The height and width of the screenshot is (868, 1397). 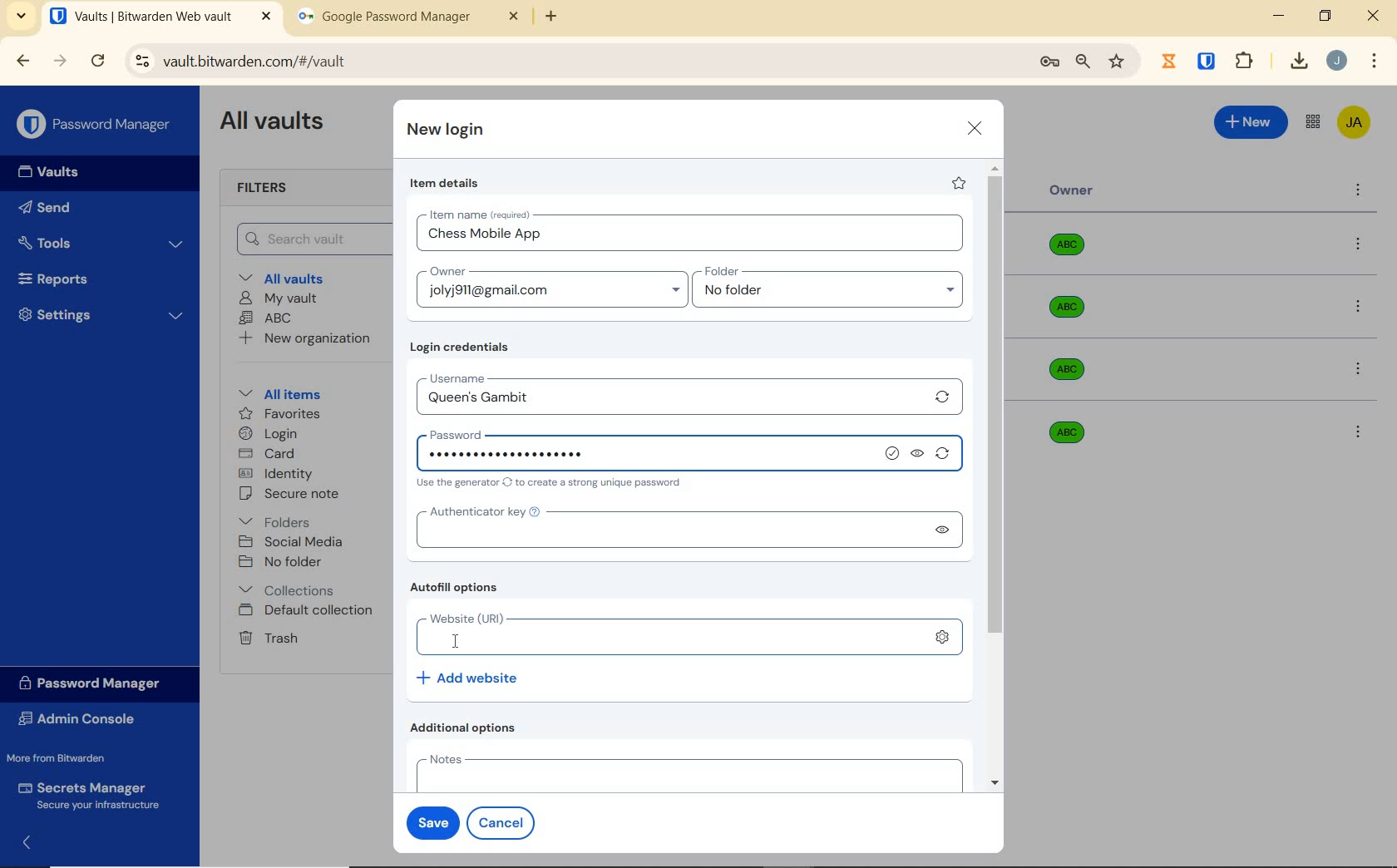 What do you see at coordinates (289, 541) in the screenshot?
I see `Social media` at bounding box center [289, 541].